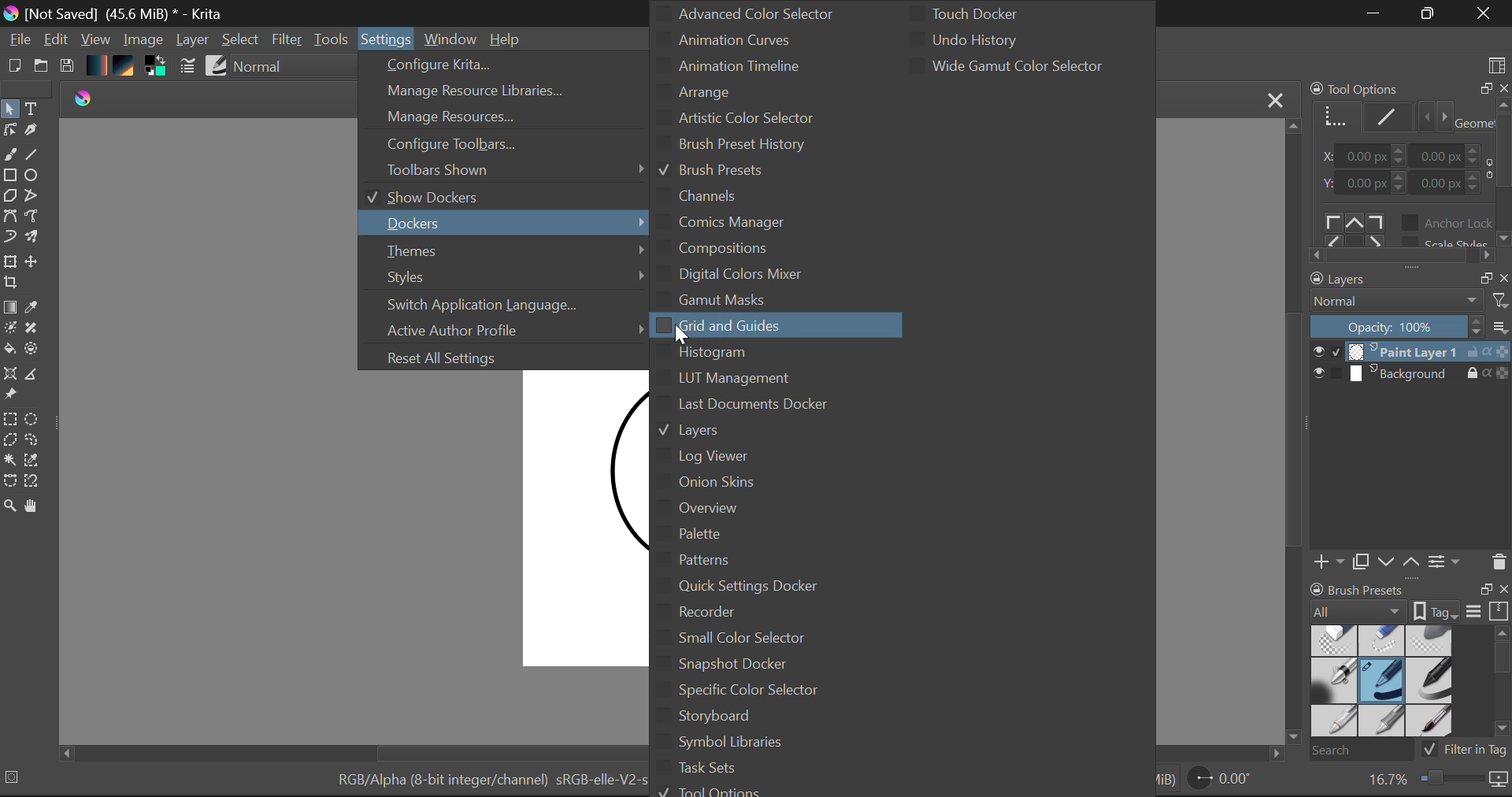 The image size is (1512, 797). I want to click on Freehand Path Tool, so click(38, 218).